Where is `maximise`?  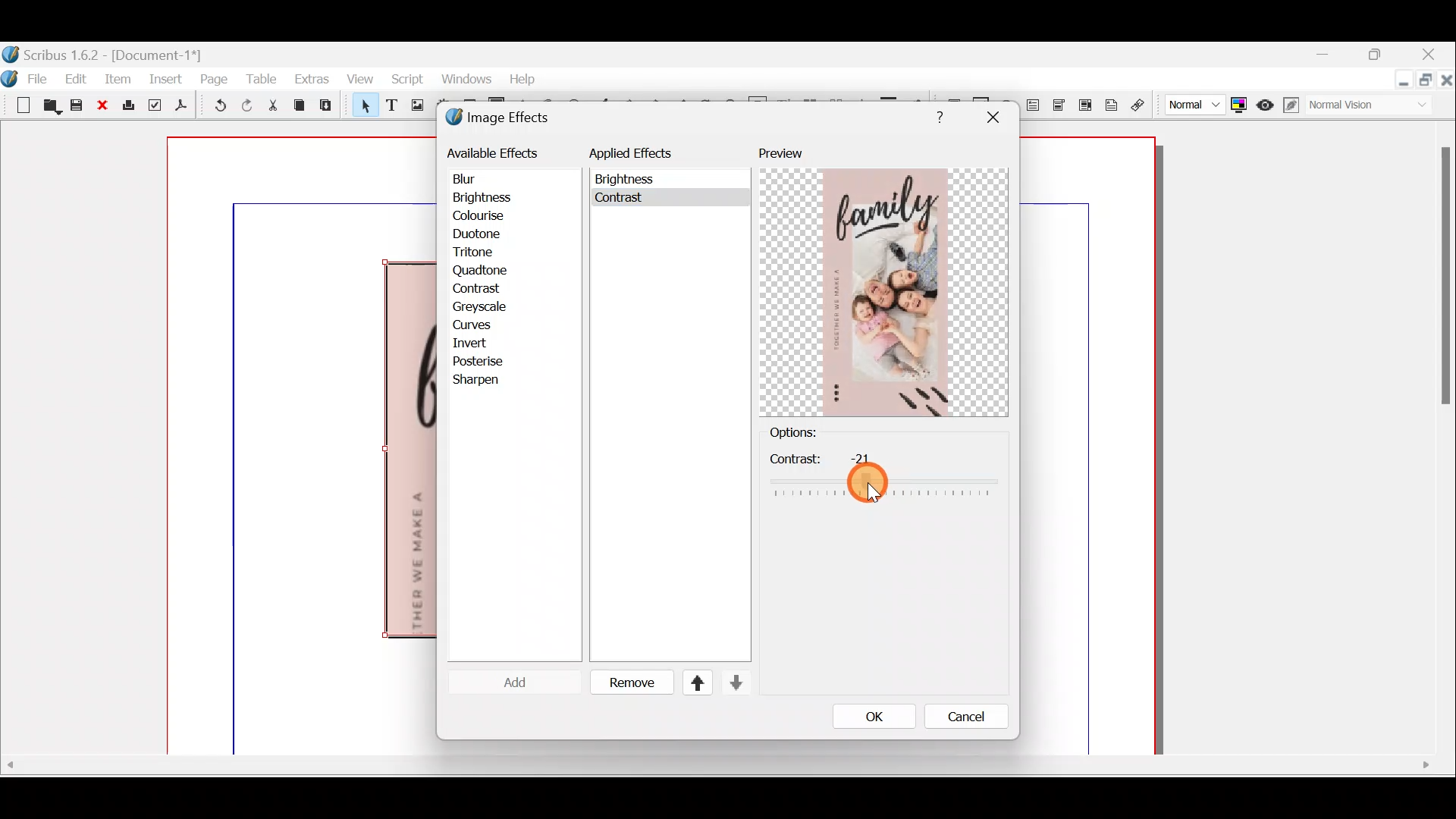 maximise is located at coordinates (1379, 57).